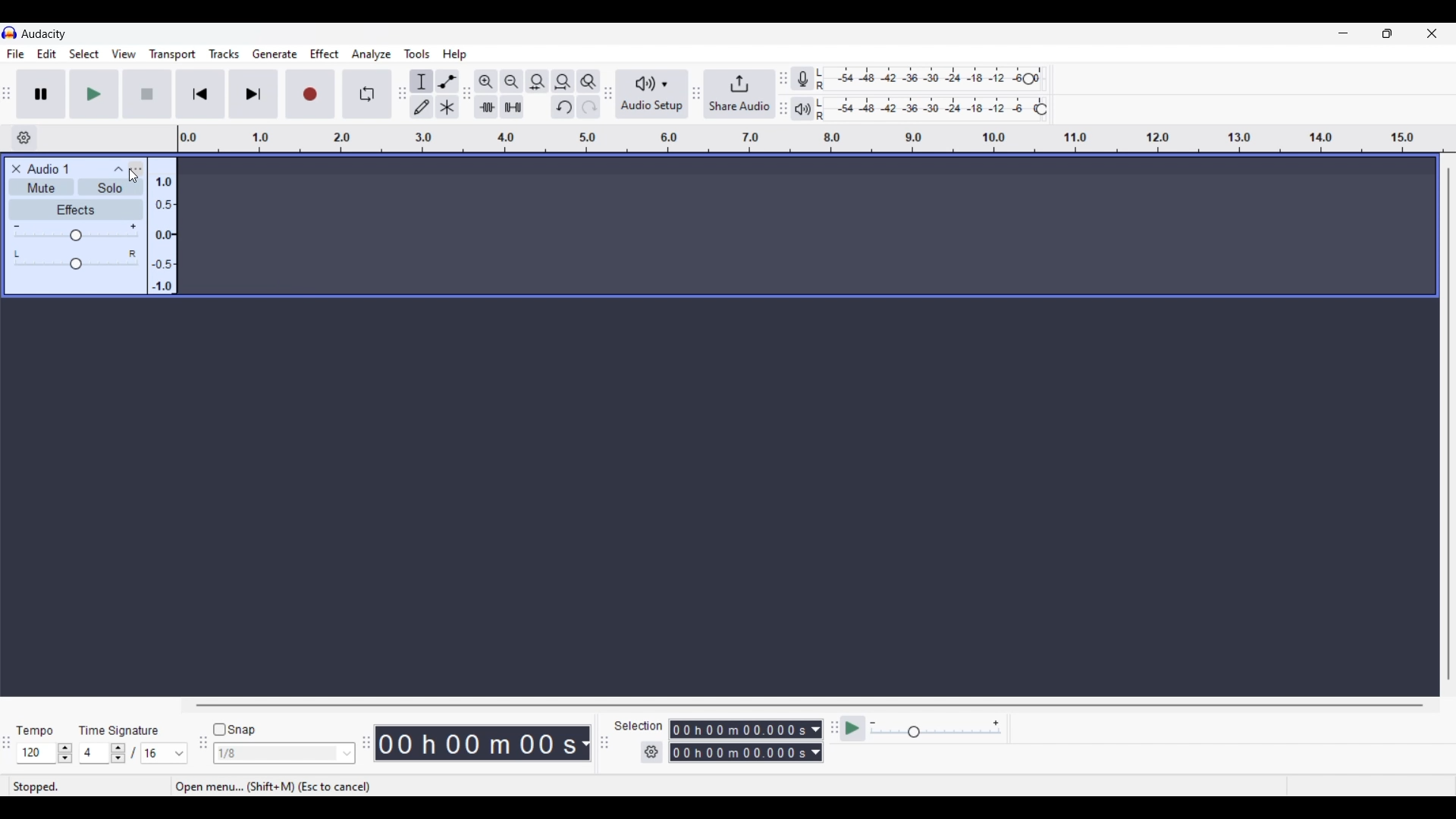  I want to click on Selection settings, so click(652, 752).